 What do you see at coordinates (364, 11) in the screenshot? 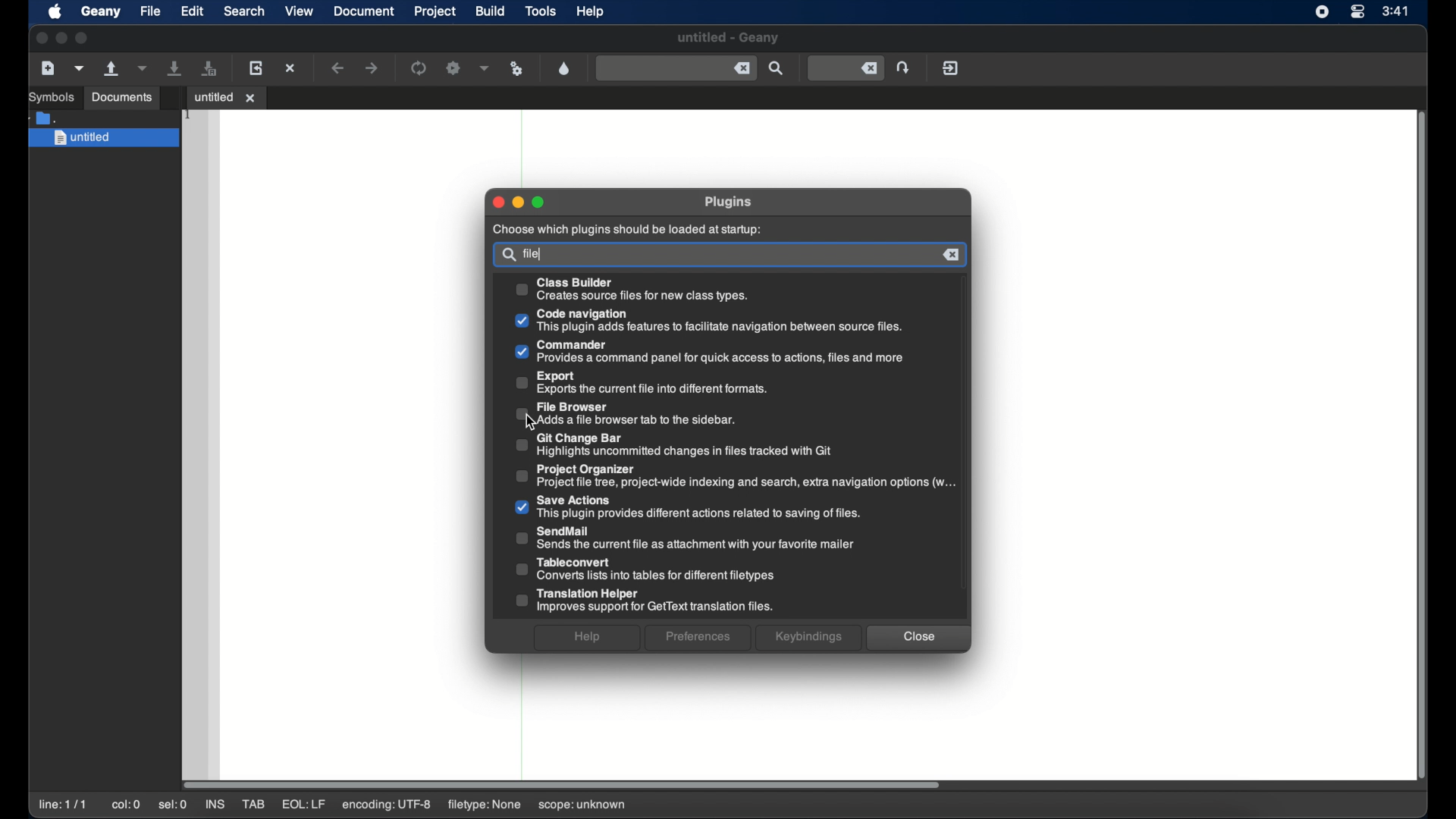
I see `document` at bounding box center [364, 11].